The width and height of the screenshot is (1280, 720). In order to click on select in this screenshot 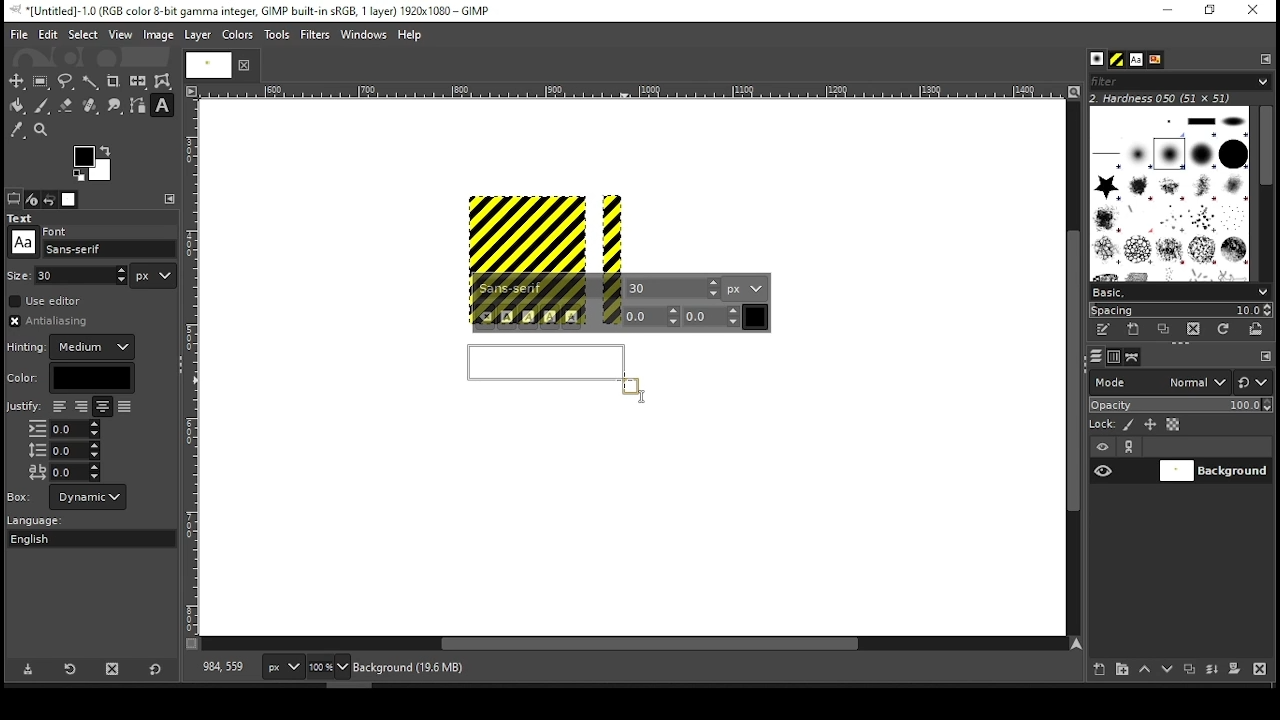, I will do `click(82, 33)`.